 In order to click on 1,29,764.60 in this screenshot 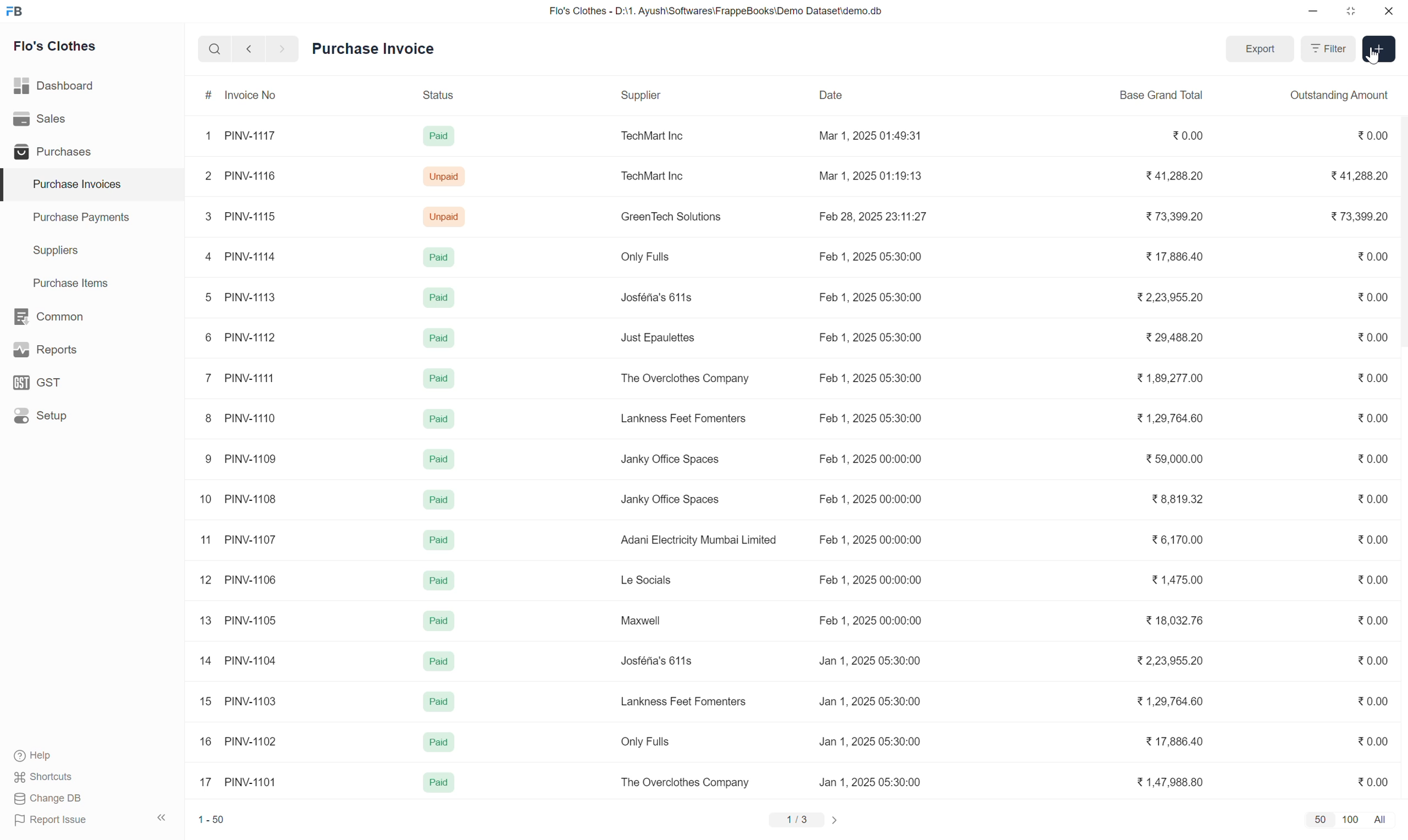, I will do `click(1170, 418)`.